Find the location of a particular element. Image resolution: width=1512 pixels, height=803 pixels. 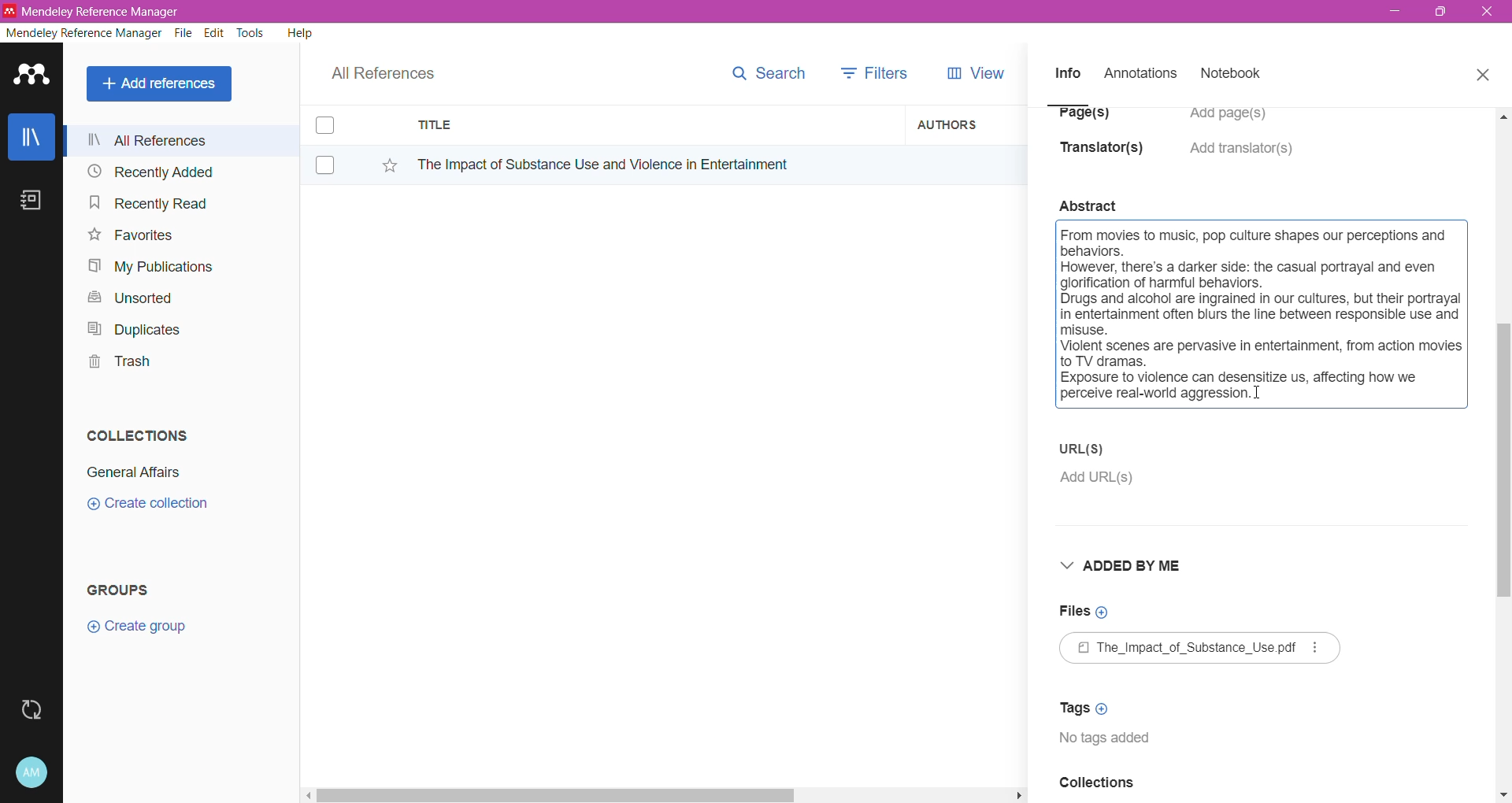

Tools is located at coordinates (251, 33).